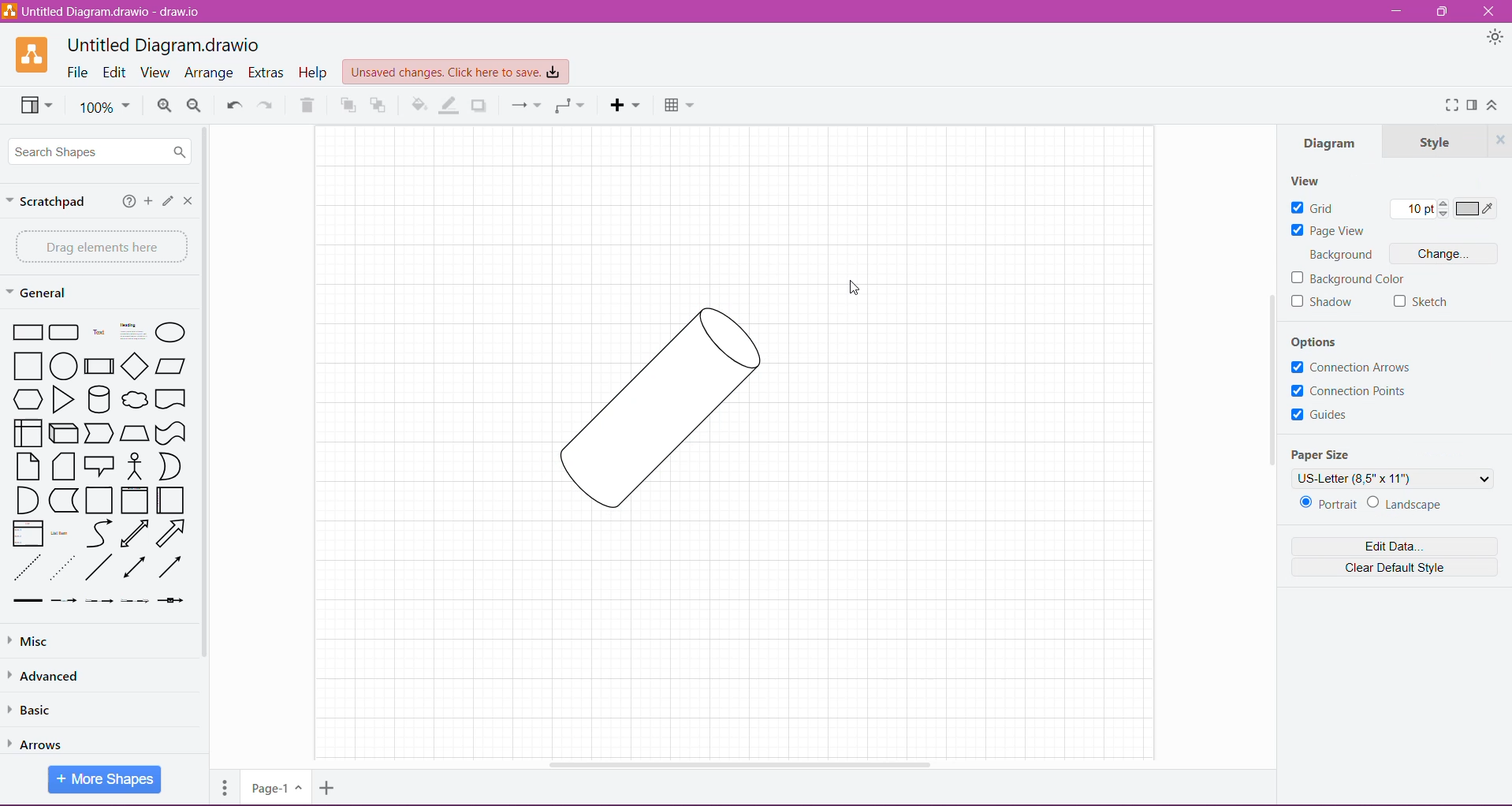  What do you see at coordinates (233, 104) in the screenshot?
I see `Undo` at bounding box center [233, 104].